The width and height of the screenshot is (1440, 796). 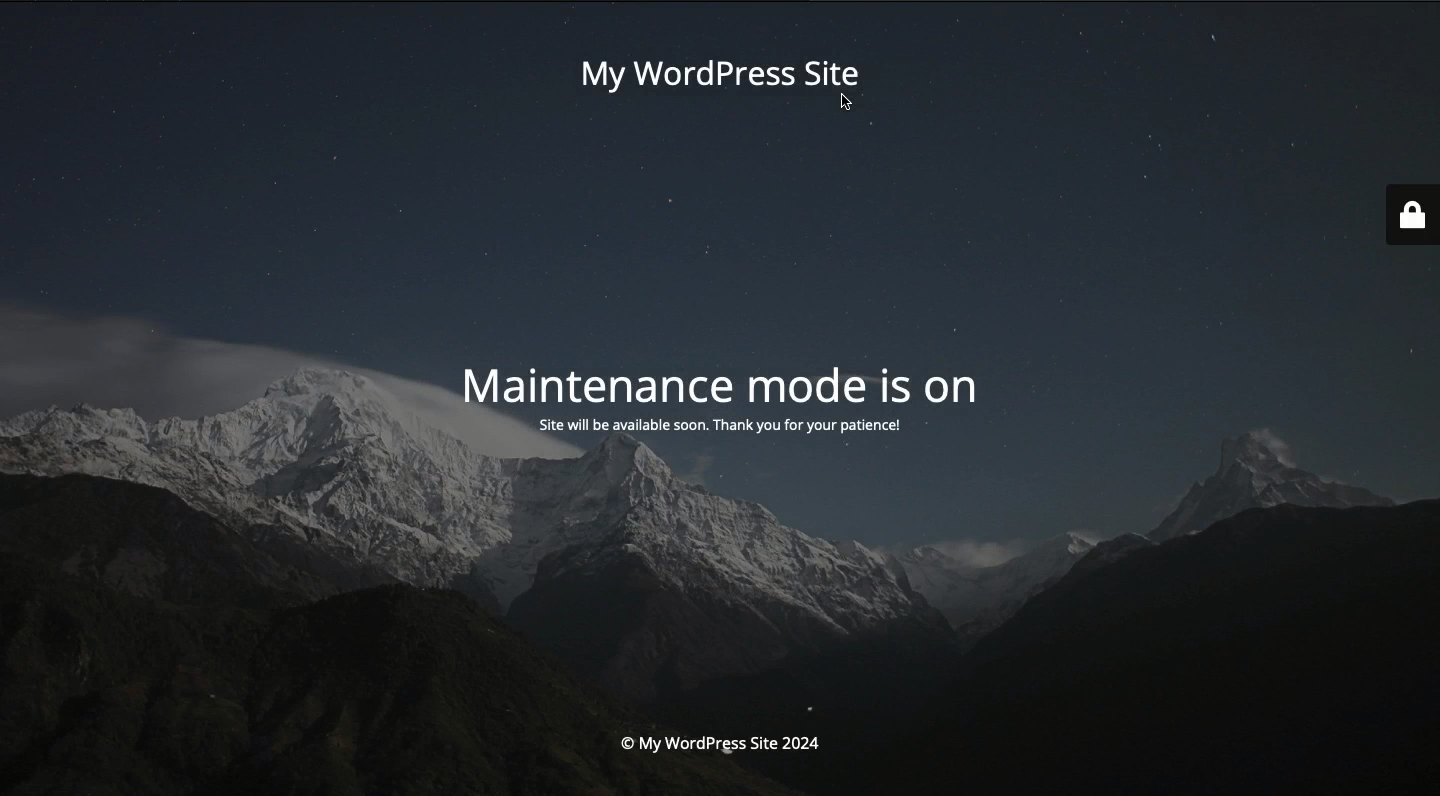 I want to click on Site 2004, so click(x=724, y=749).